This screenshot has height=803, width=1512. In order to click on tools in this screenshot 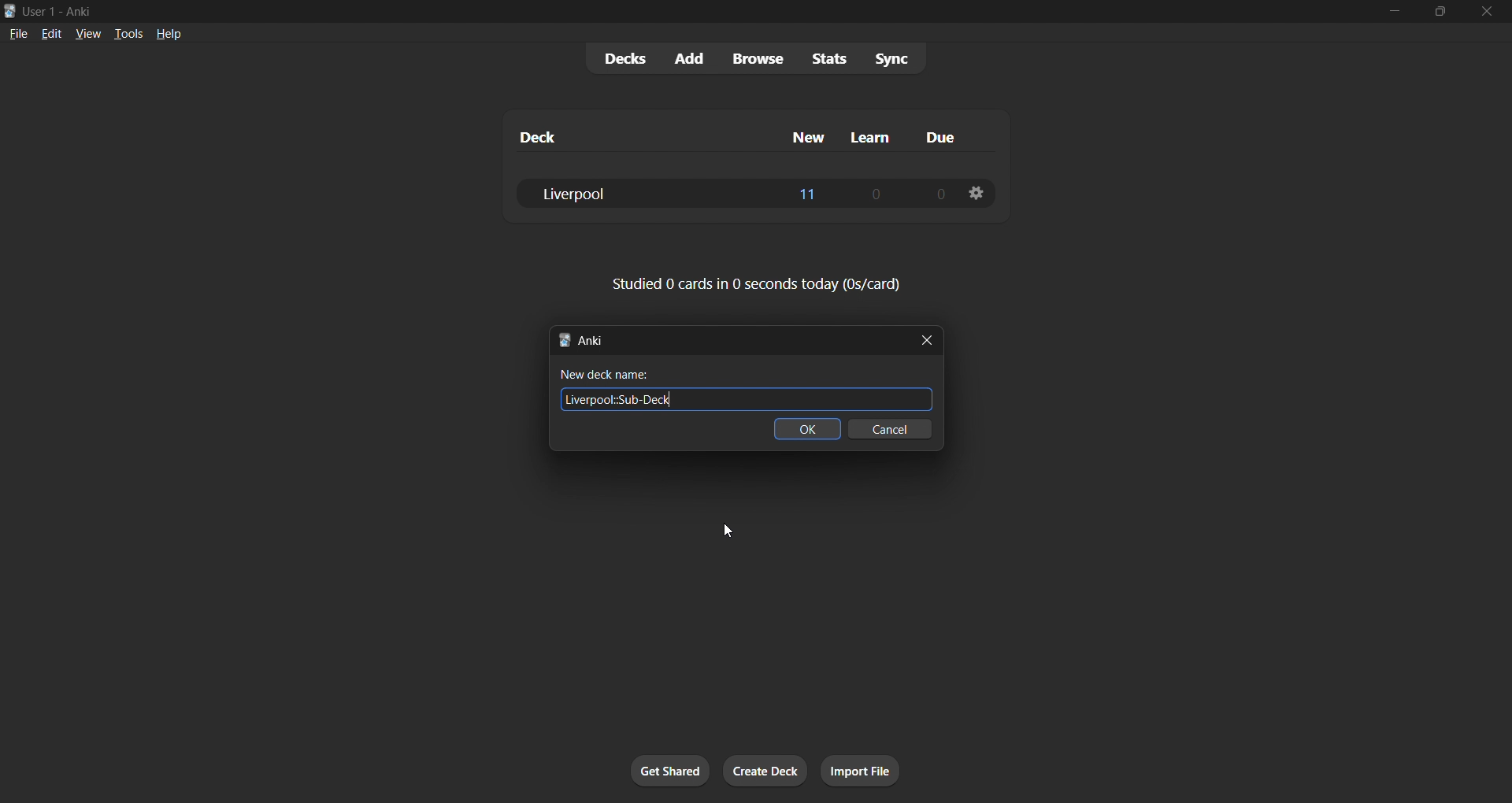, I will do `click(128, 35)`.